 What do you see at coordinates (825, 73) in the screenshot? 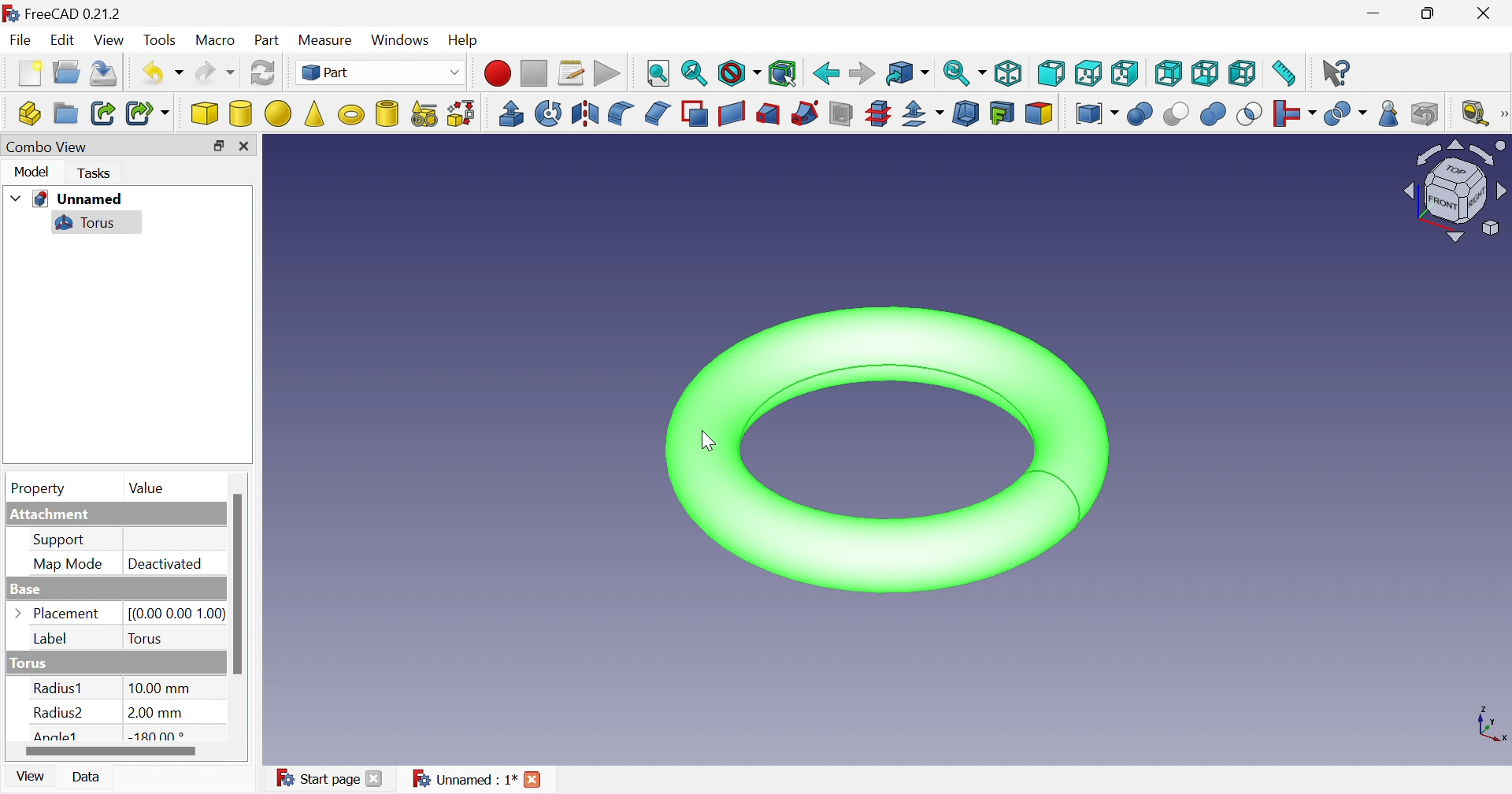
I see `Back` at bounding box center [825, 73].